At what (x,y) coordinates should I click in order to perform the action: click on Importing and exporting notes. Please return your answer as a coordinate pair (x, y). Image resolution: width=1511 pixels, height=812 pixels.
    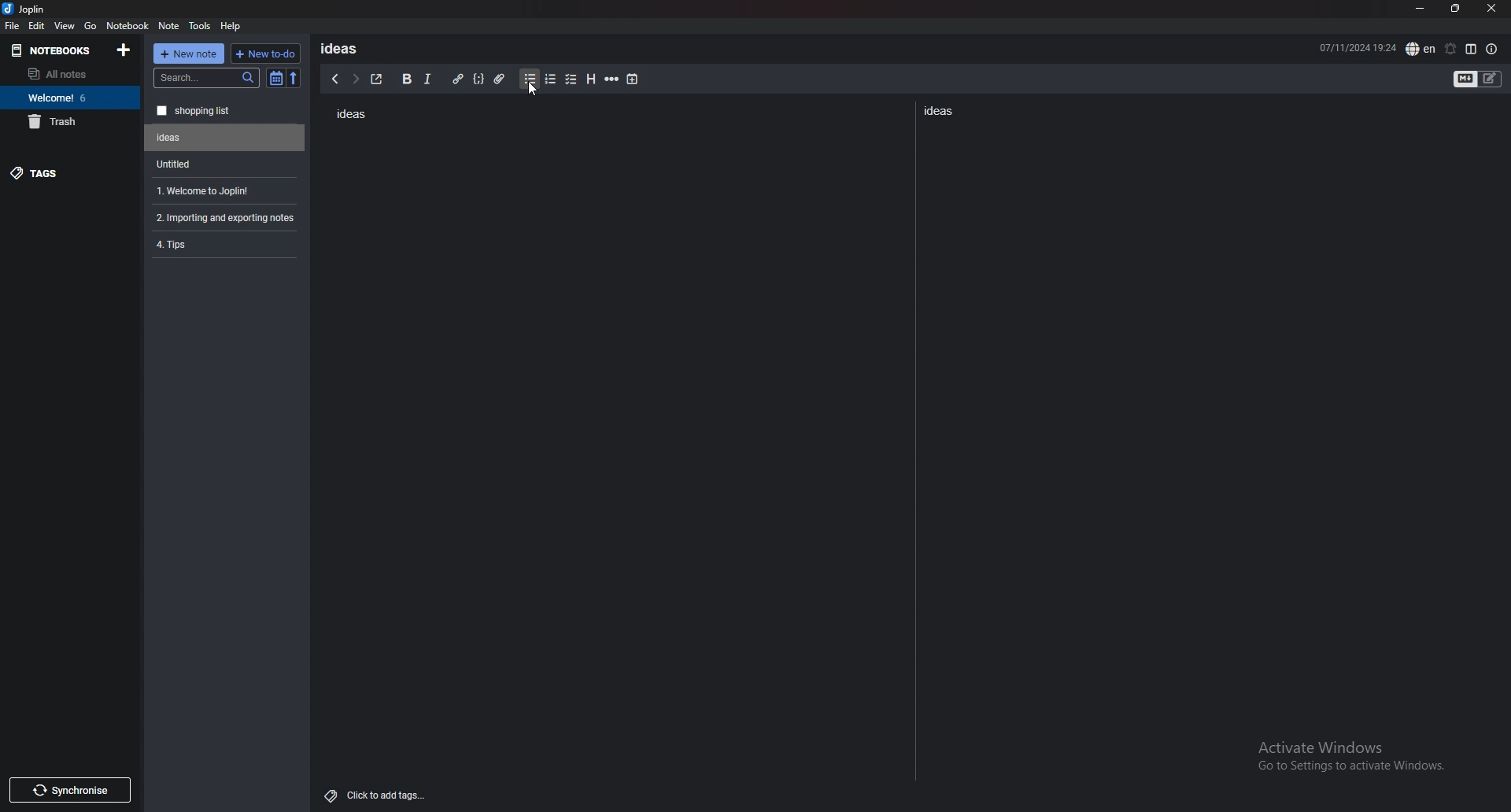
    Looking at the image, I should click on (227, 218).